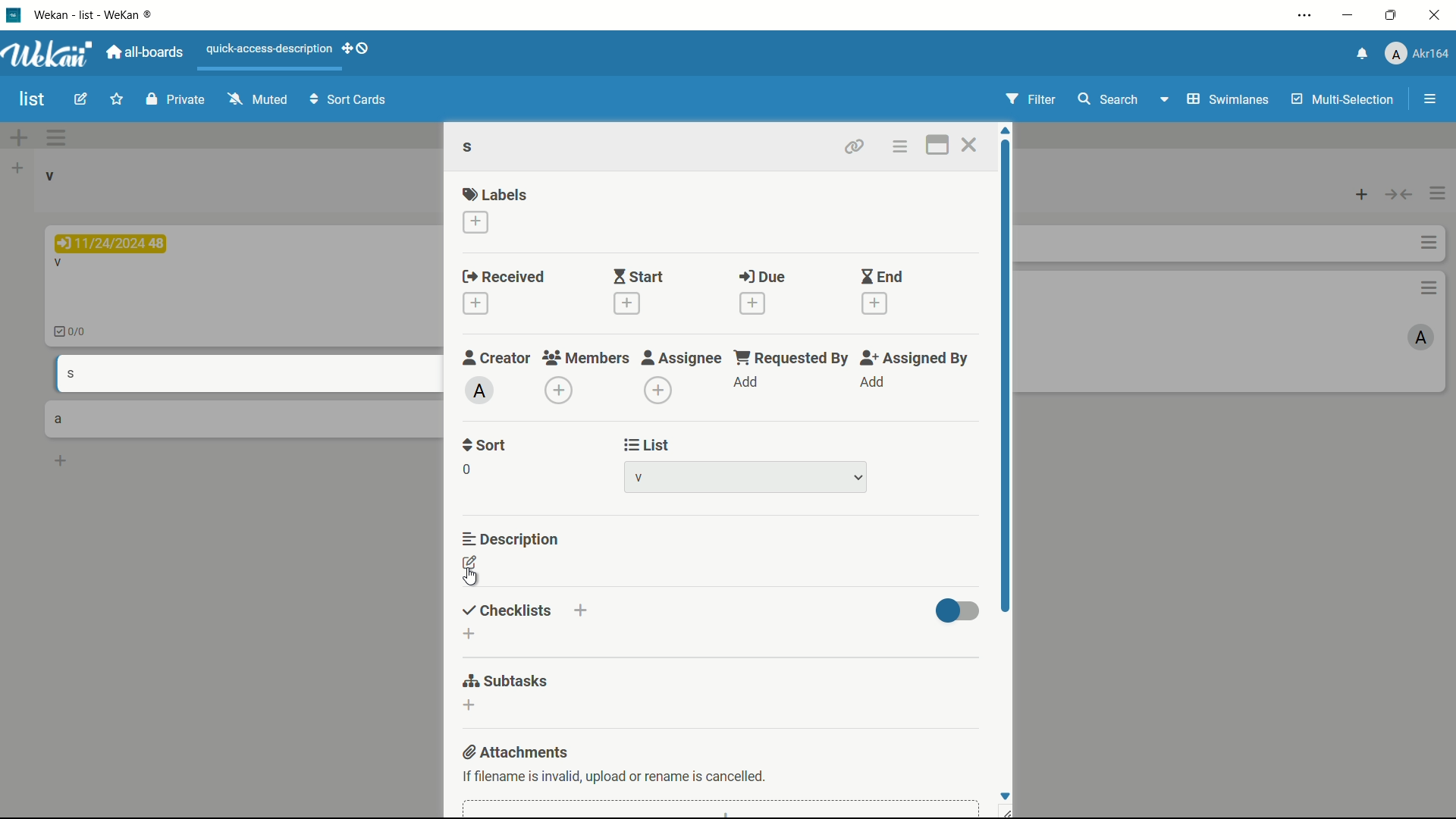 The width and height of the screenshot is (1456, 819). I want to click on filter, so click(1030, 99).